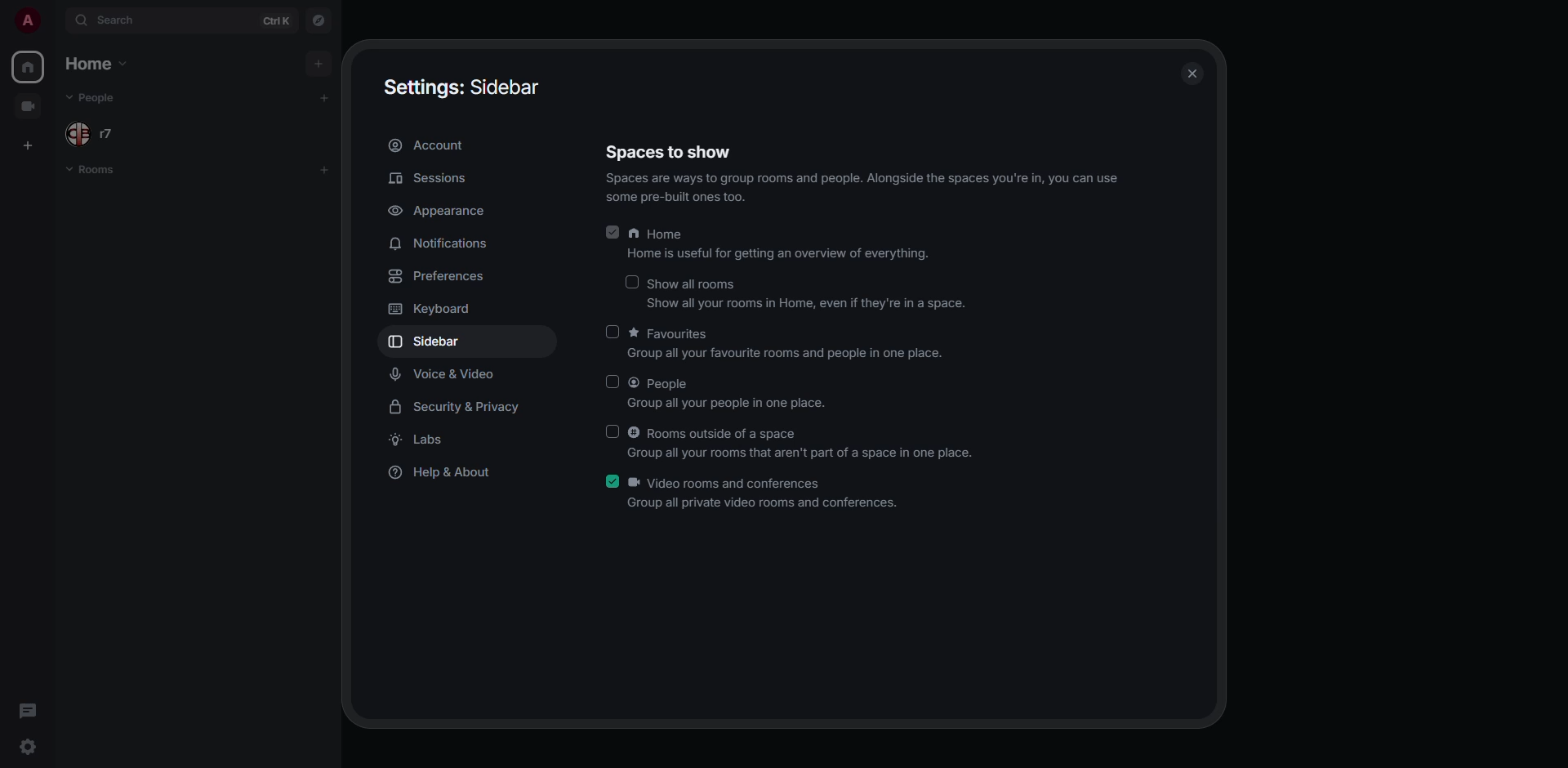  I want to click on preferences, so click(439, 280).